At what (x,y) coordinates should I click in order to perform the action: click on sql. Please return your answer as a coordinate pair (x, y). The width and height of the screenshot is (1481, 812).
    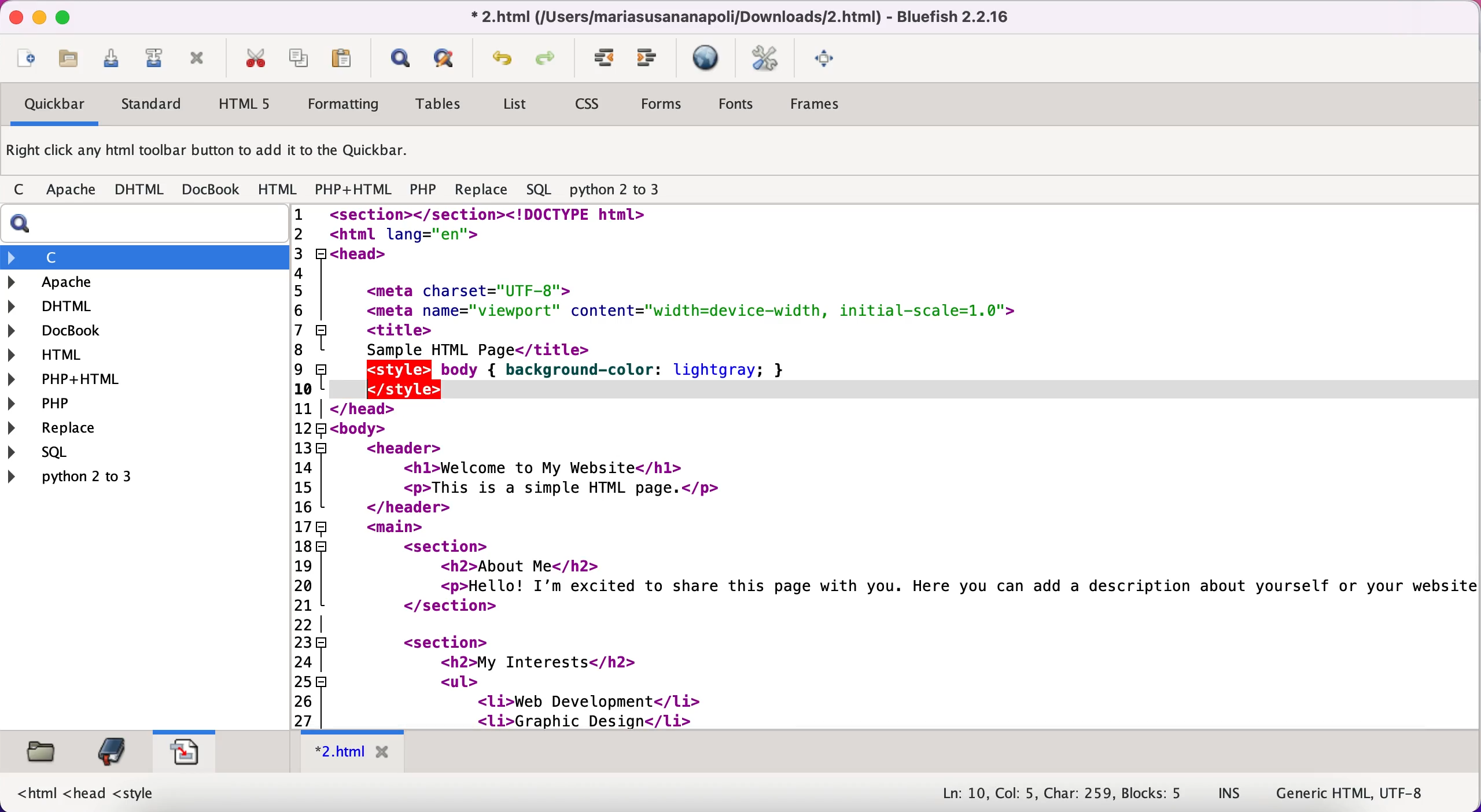
    Looking at the image, I should click on (91, 452).